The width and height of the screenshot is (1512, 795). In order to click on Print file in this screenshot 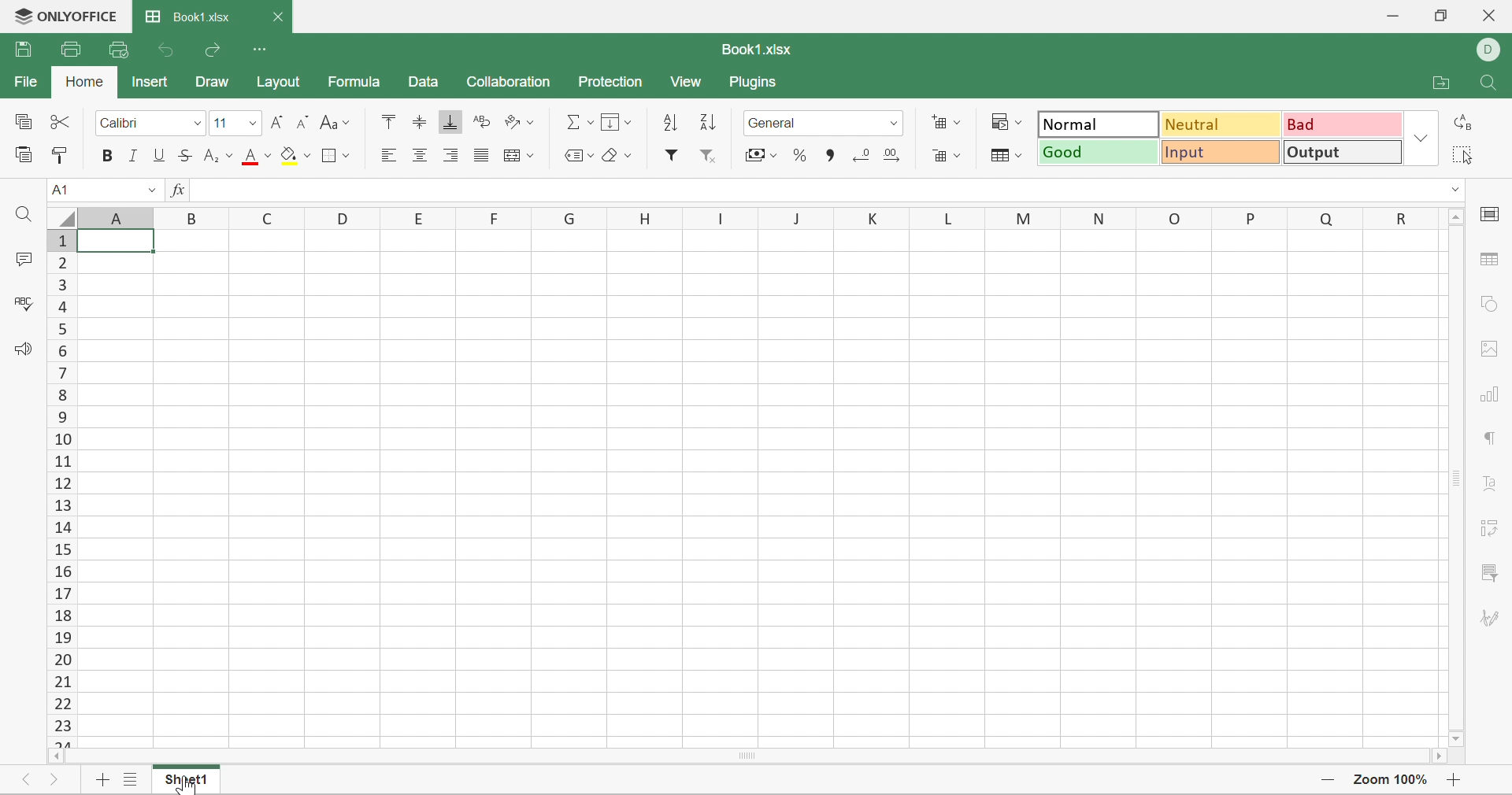, I will do `click(70, 50)`.